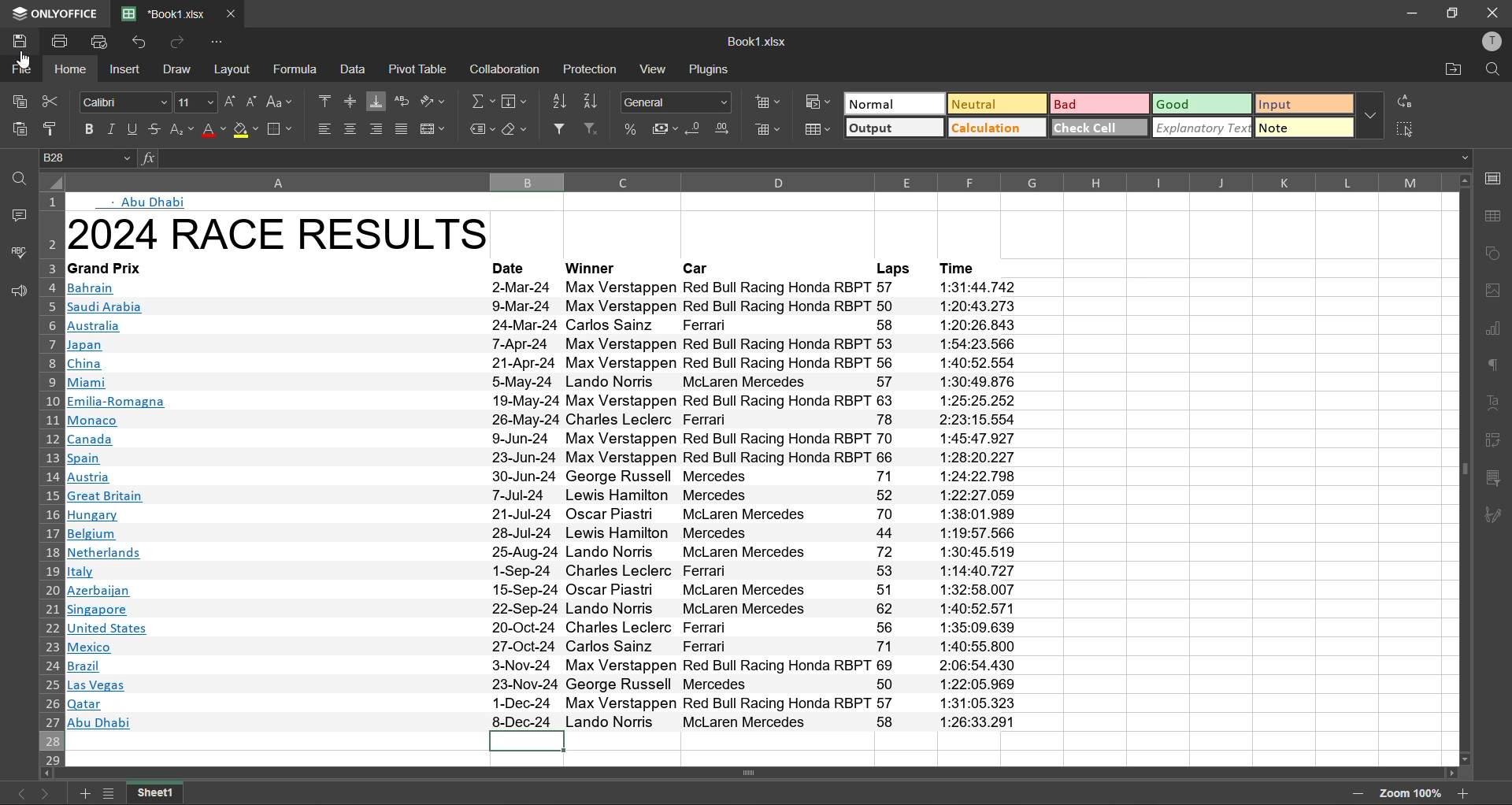 The height and width of the screenshot is (805, 1512). I want to click on summation, so click(479, 102).